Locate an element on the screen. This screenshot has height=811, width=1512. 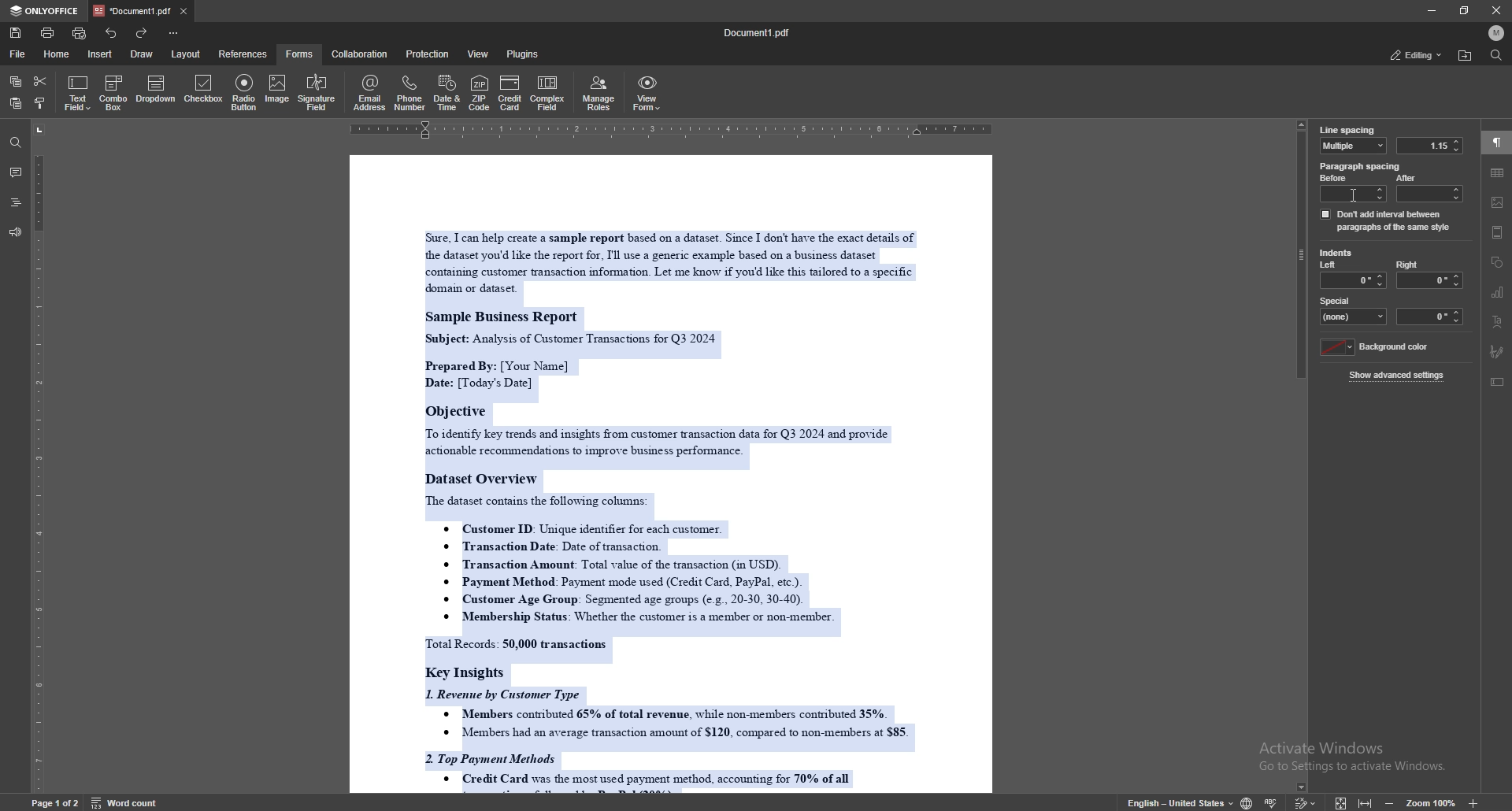
combo box is located at coordinates (113, 93).